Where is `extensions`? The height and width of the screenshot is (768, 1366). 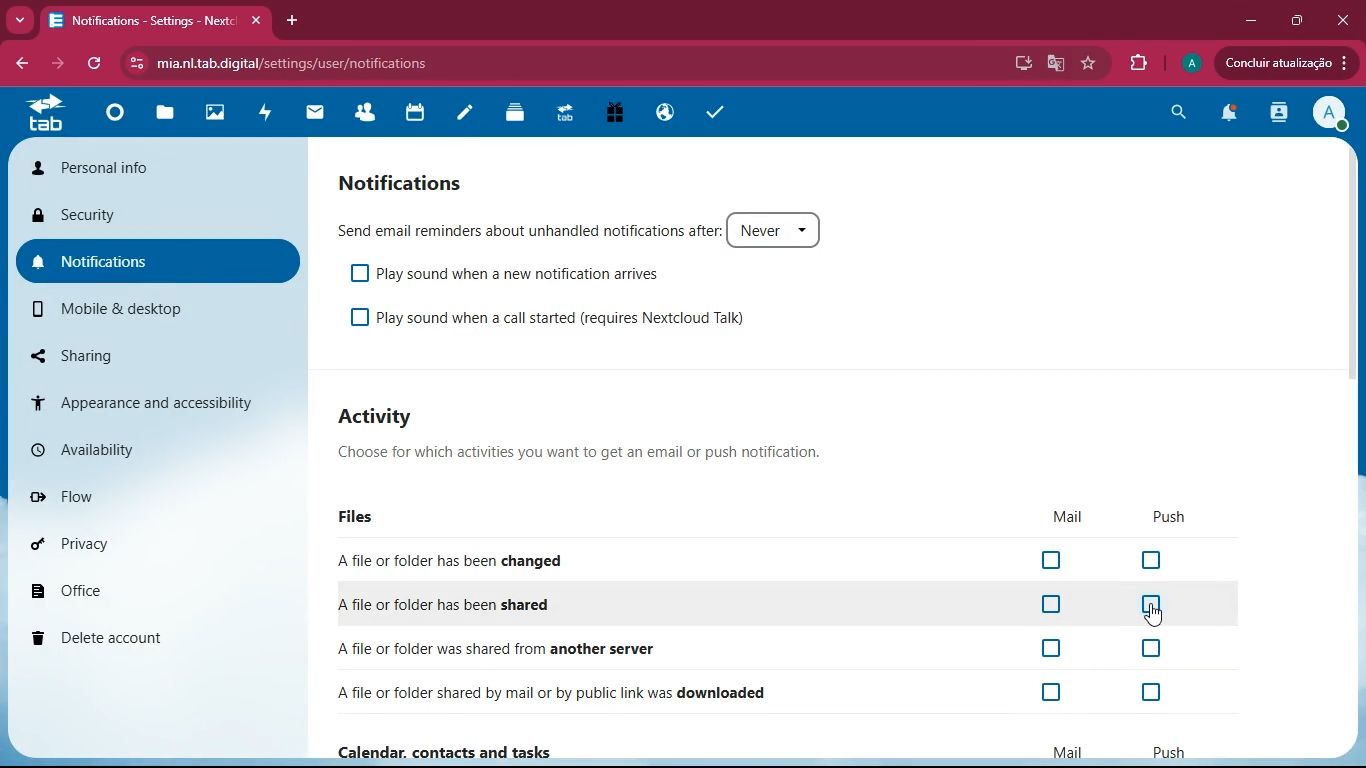
extensions is located at coordinates (1138, 63).